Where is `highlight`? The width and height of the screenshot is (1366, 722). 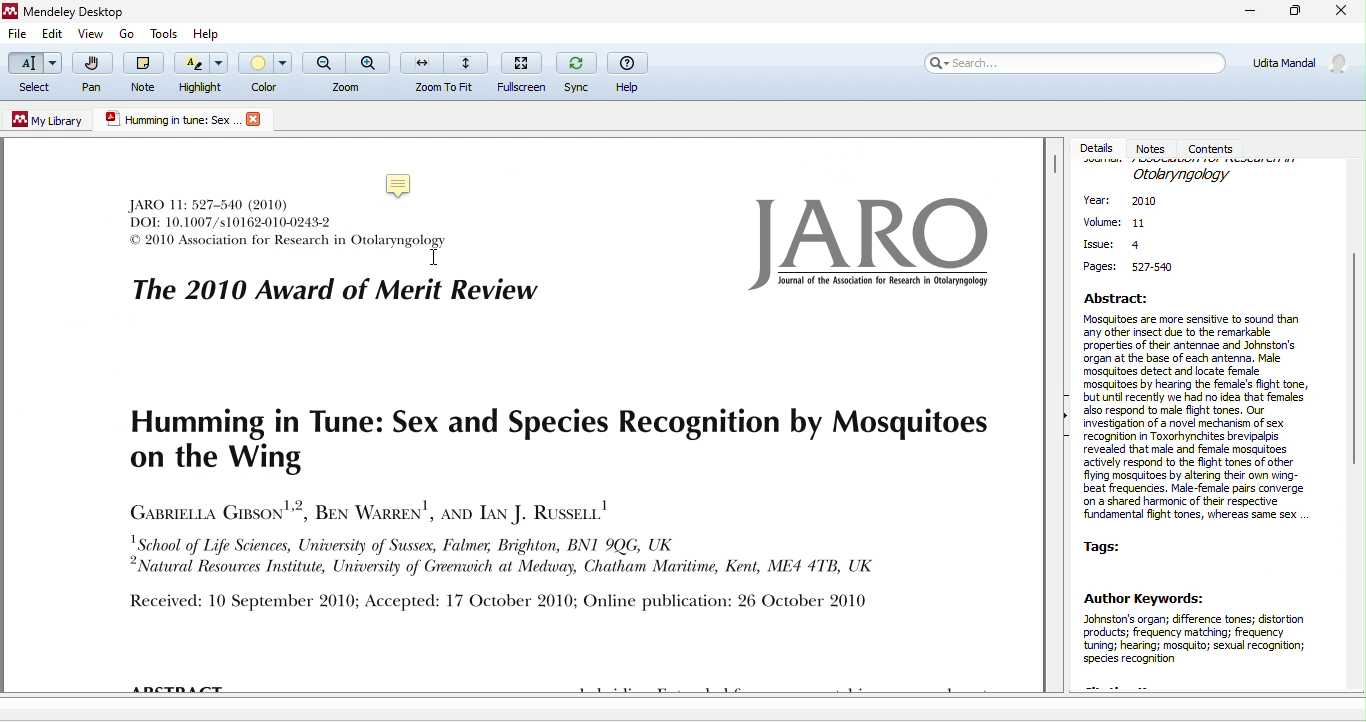 highlight is located at coordinates (201, 74).